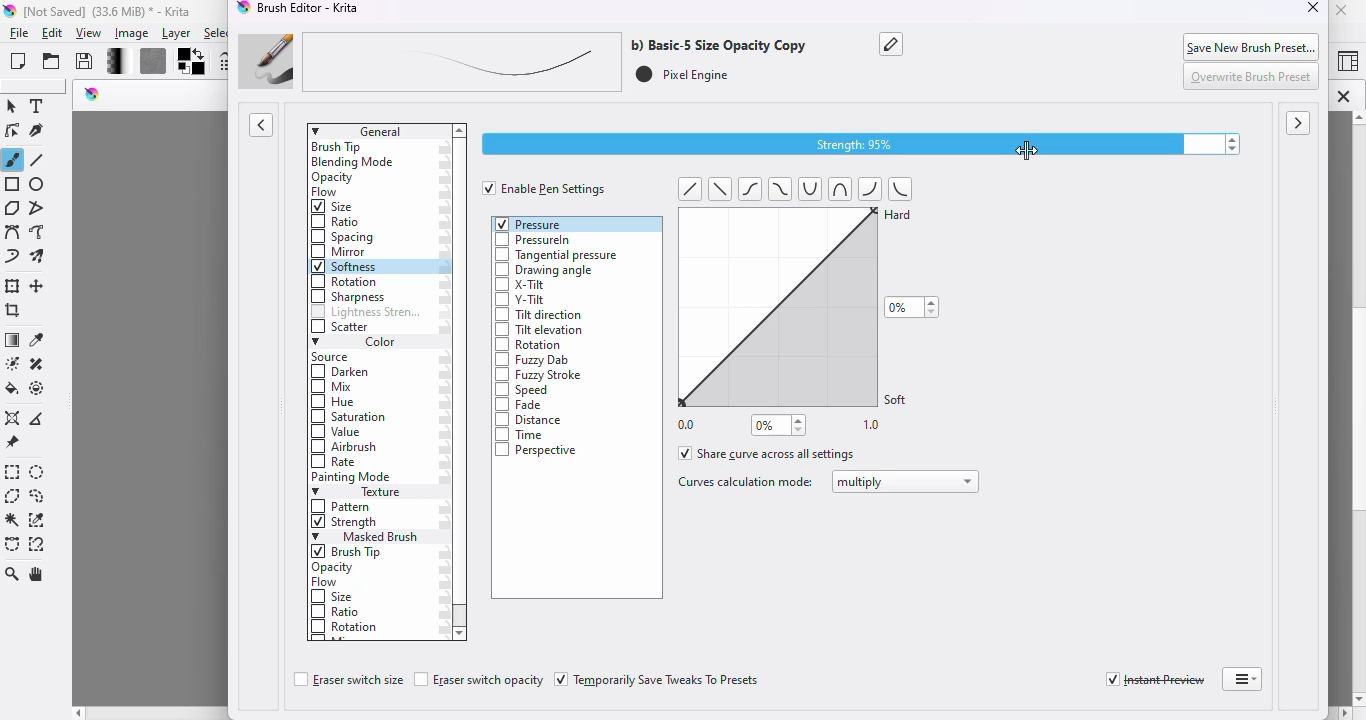  Describe the element at coordinates (346, 628) in the screenshot. I see `rotation` at that location.